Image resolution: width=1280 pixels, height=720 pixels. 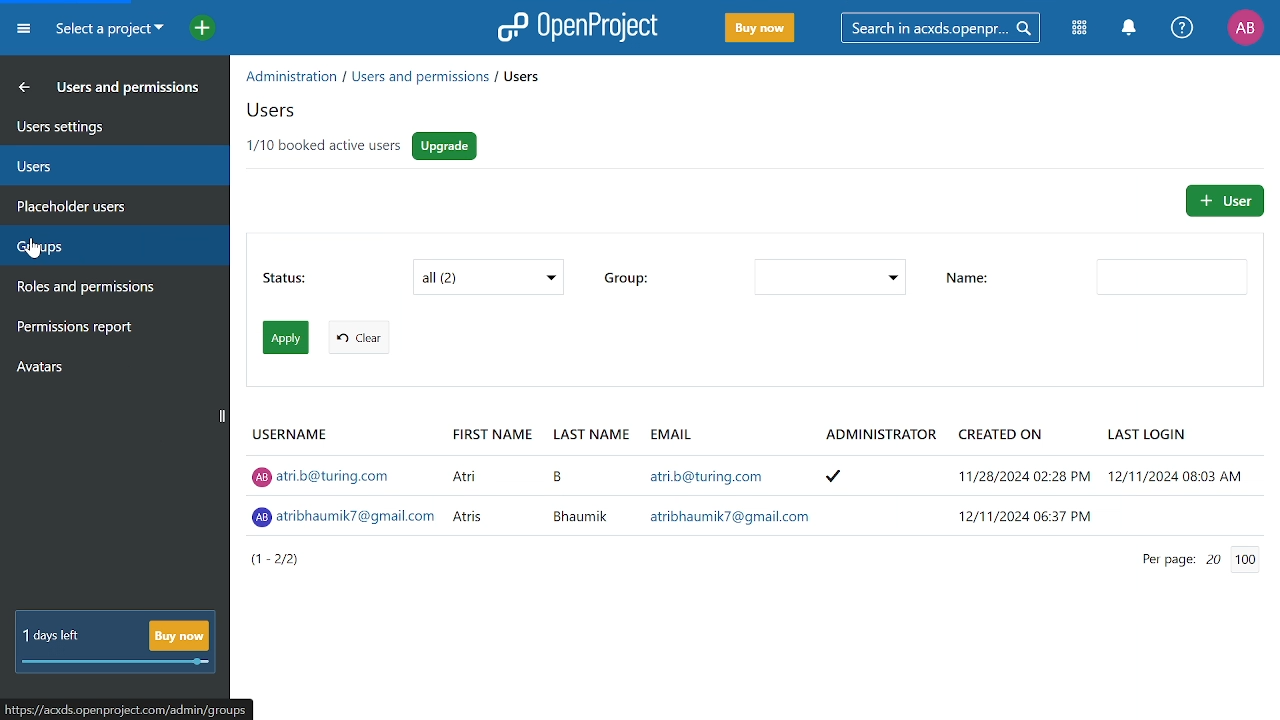 What do you see at coordinates (1224, 201) in the screenshot?
I see `User` at bounding box center [1224, 201].